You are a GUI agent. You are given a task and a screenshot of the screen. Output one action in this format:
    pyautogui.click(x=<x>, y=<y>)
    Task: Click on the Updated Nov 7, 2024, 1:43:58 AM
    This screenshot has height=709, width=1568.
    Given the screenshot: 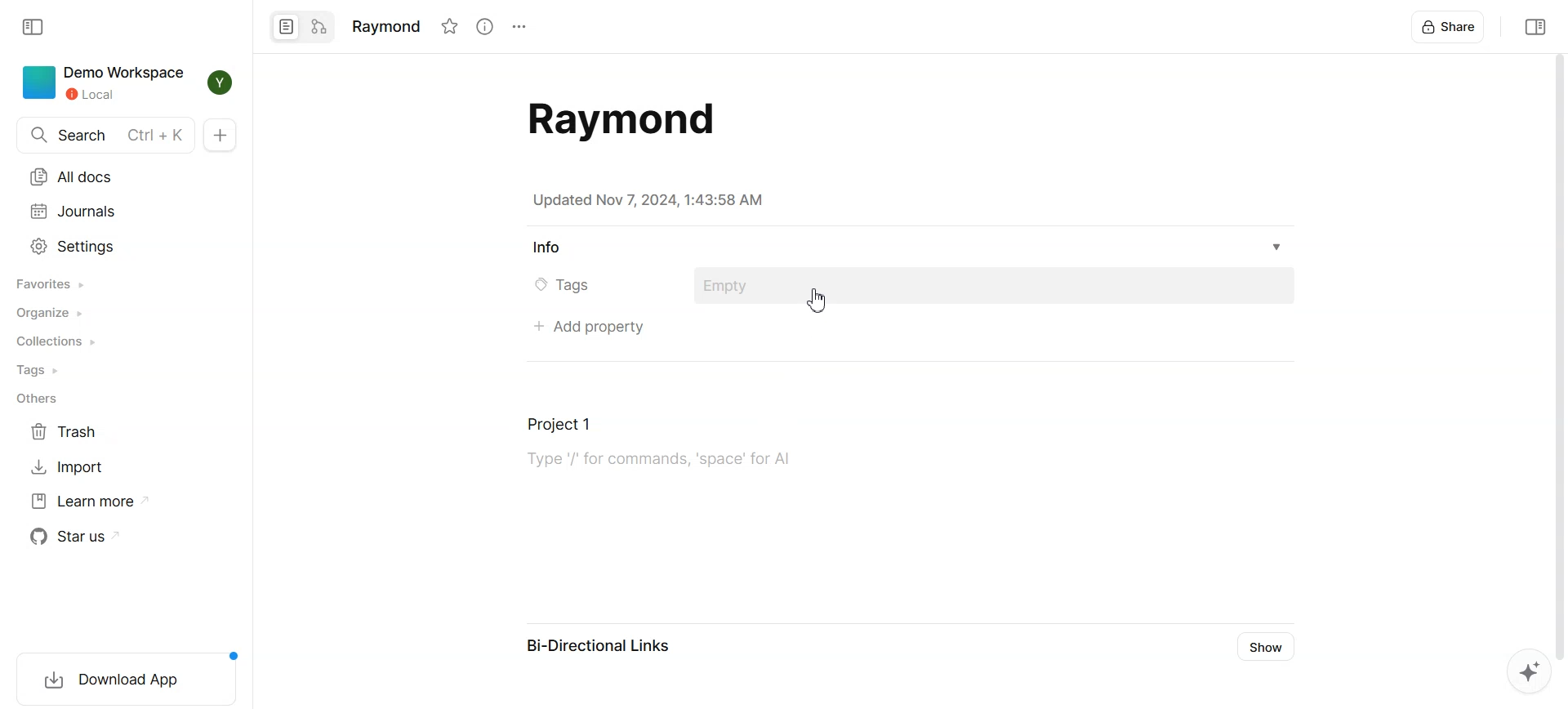 What is the action you would take?
    pyautogui.click(x=648, y=200)
    